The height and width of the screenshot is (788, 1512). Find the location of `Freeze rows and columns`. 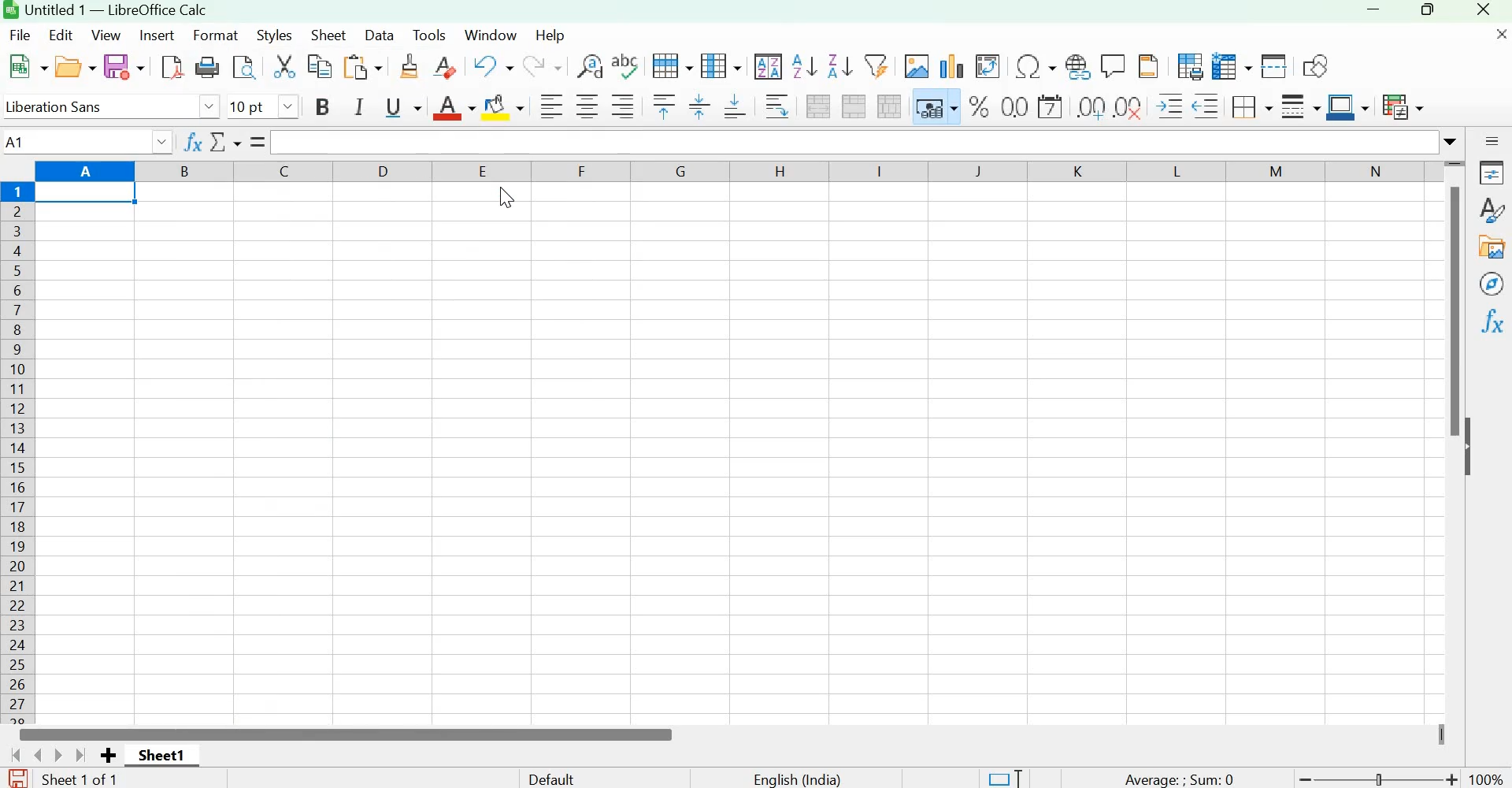

Freeze rows and columns is located at coordinates (1232, 66).